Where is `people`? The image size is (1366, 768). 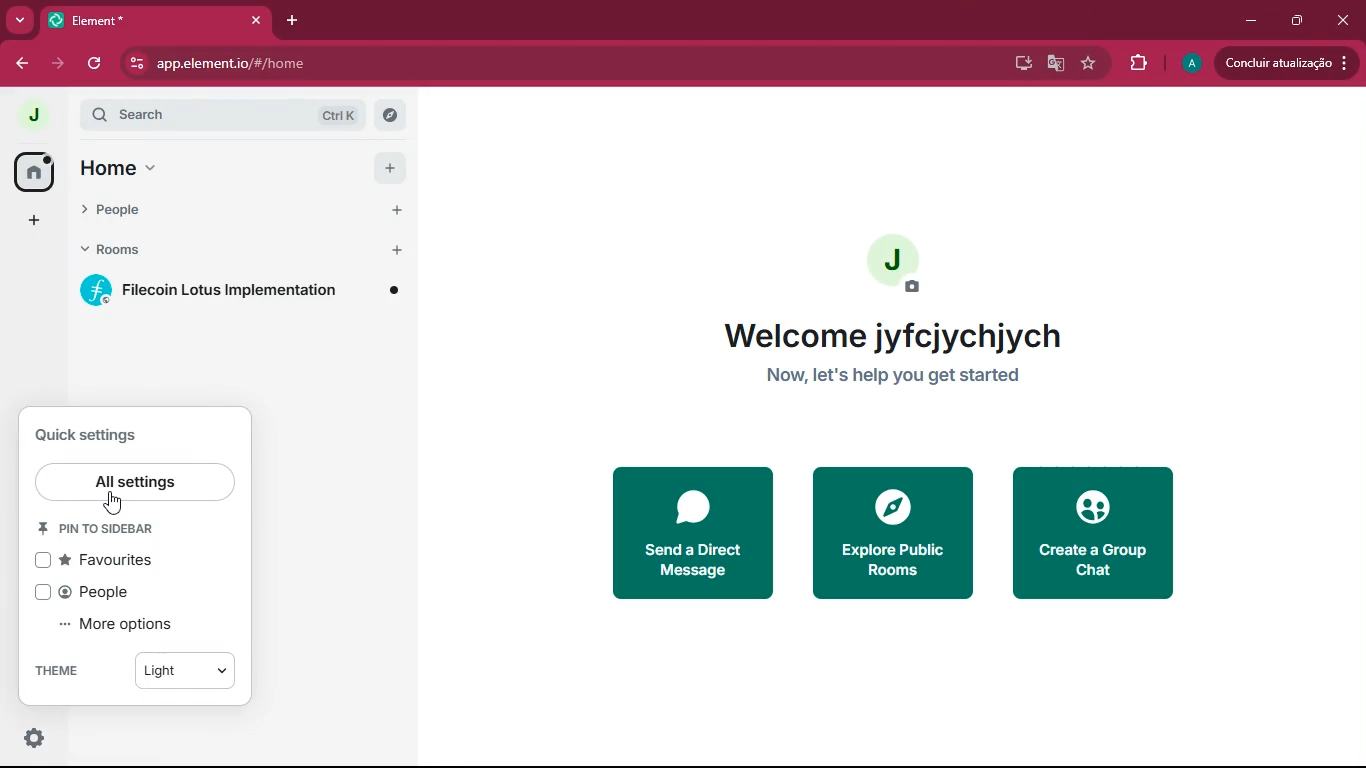
people is located at coordinates (242, 208).